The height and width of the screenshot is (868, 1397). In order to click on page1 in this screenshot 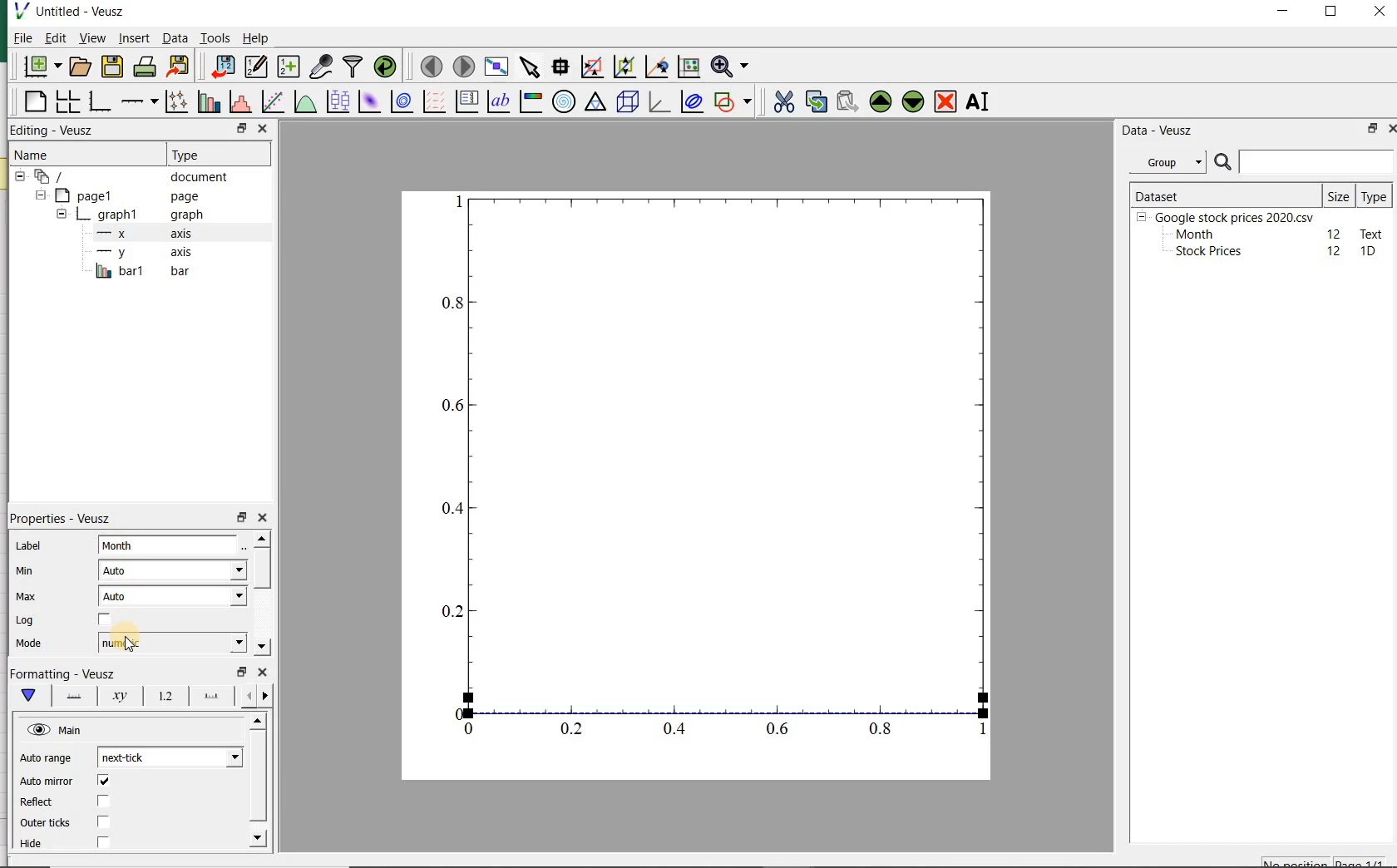, I will do `click(121, 196)`.